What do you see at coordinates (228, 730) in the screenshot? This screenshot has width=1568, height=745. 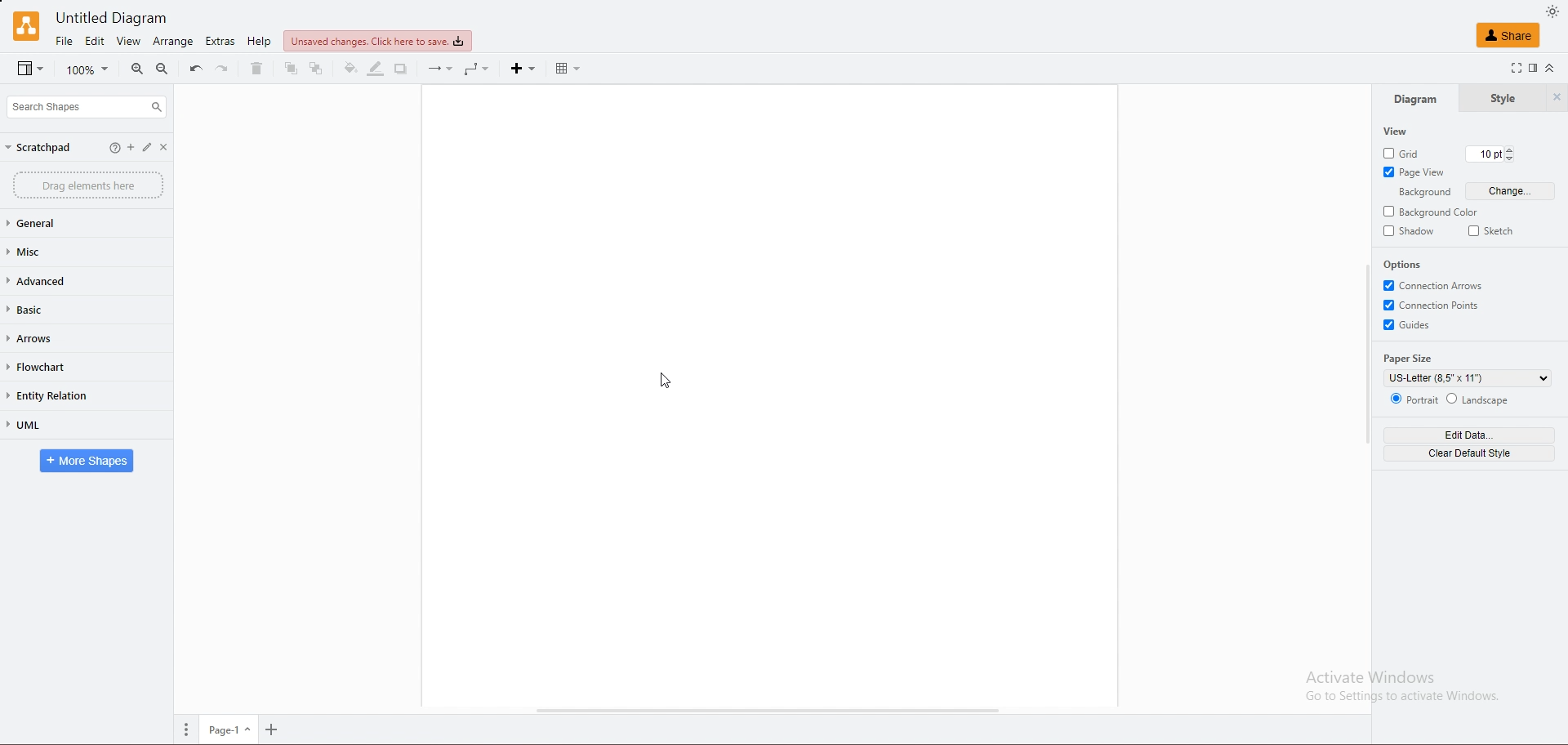 I see `page 1` at bounding box center [228, 730].